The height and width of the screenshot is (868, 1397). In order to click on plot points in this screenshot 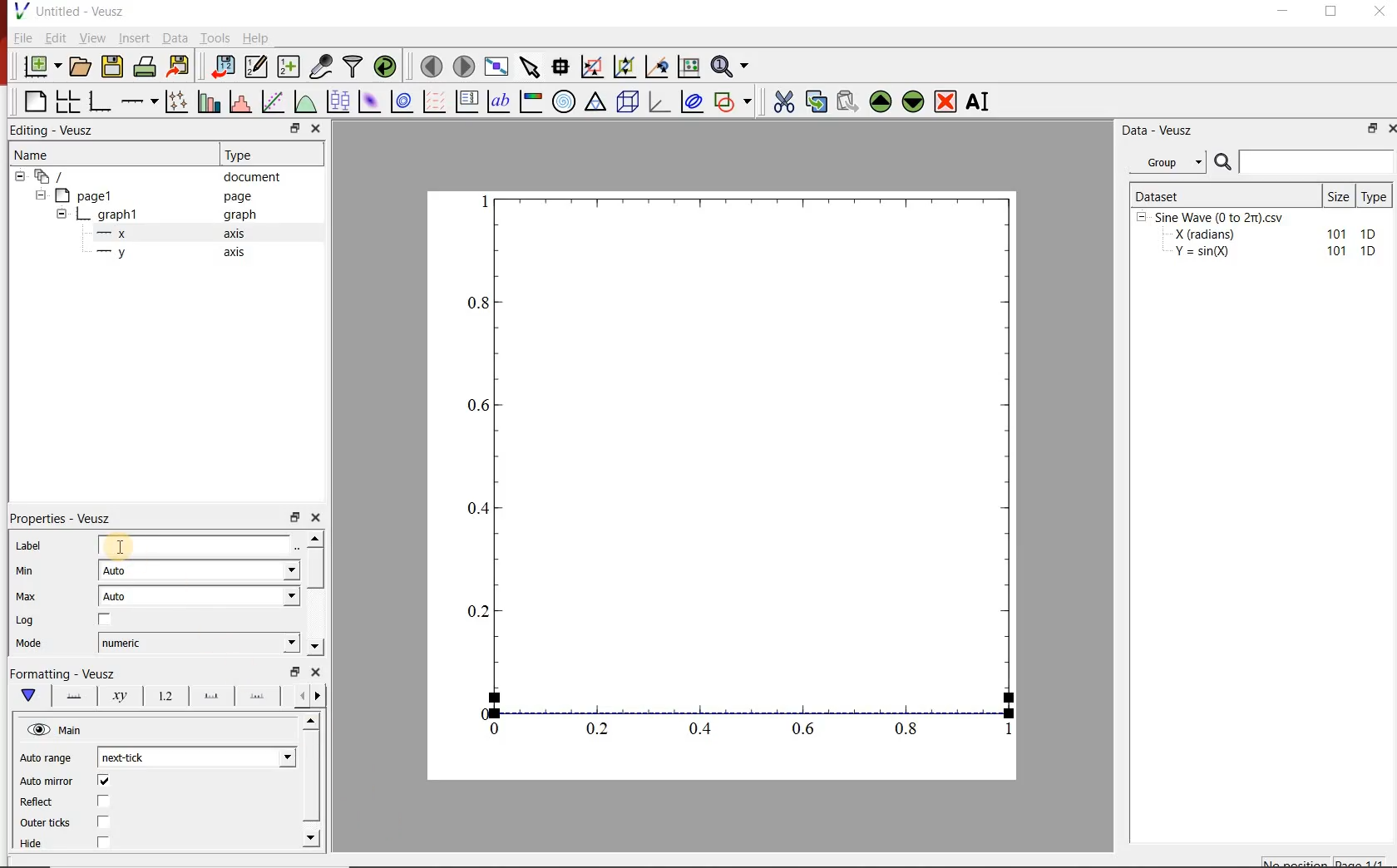, I will do `click(179, 101)`.